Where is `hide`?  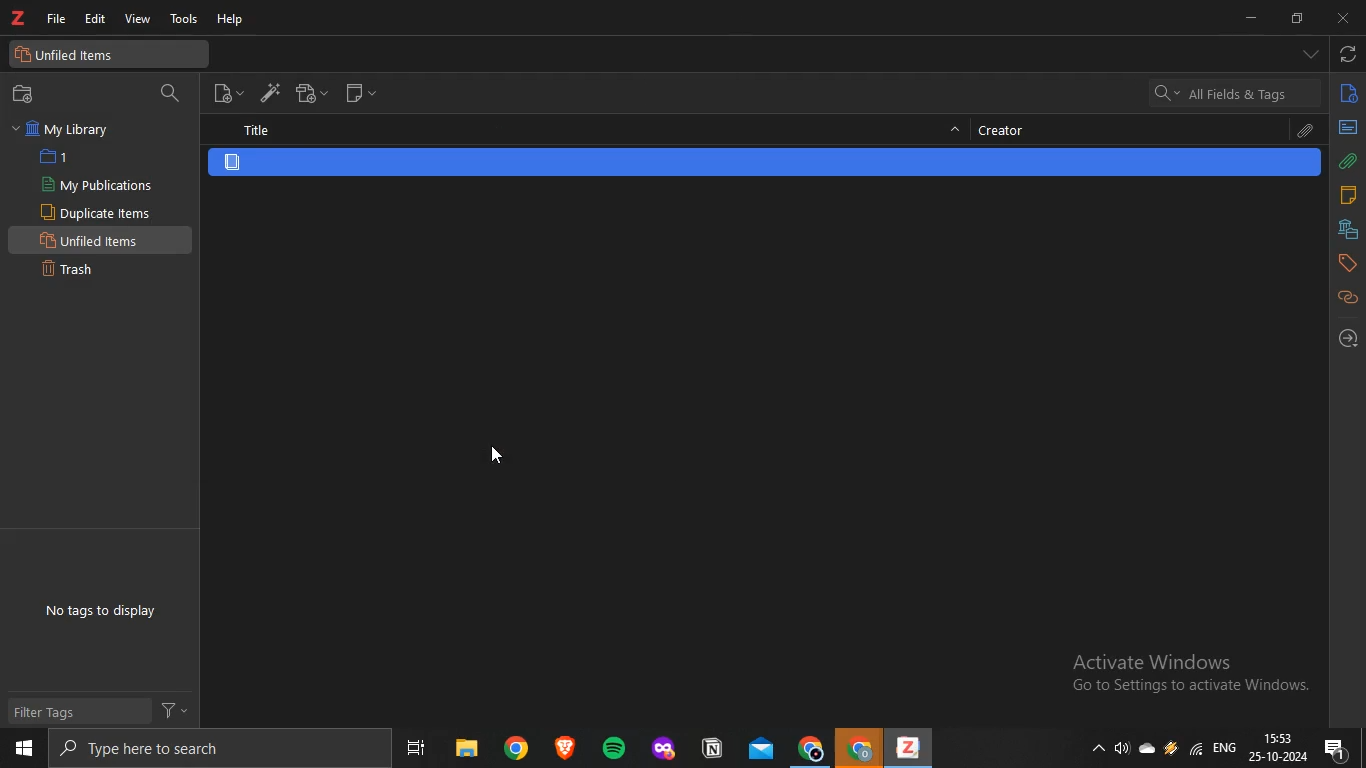
hide is located at coordinates (956, 133).